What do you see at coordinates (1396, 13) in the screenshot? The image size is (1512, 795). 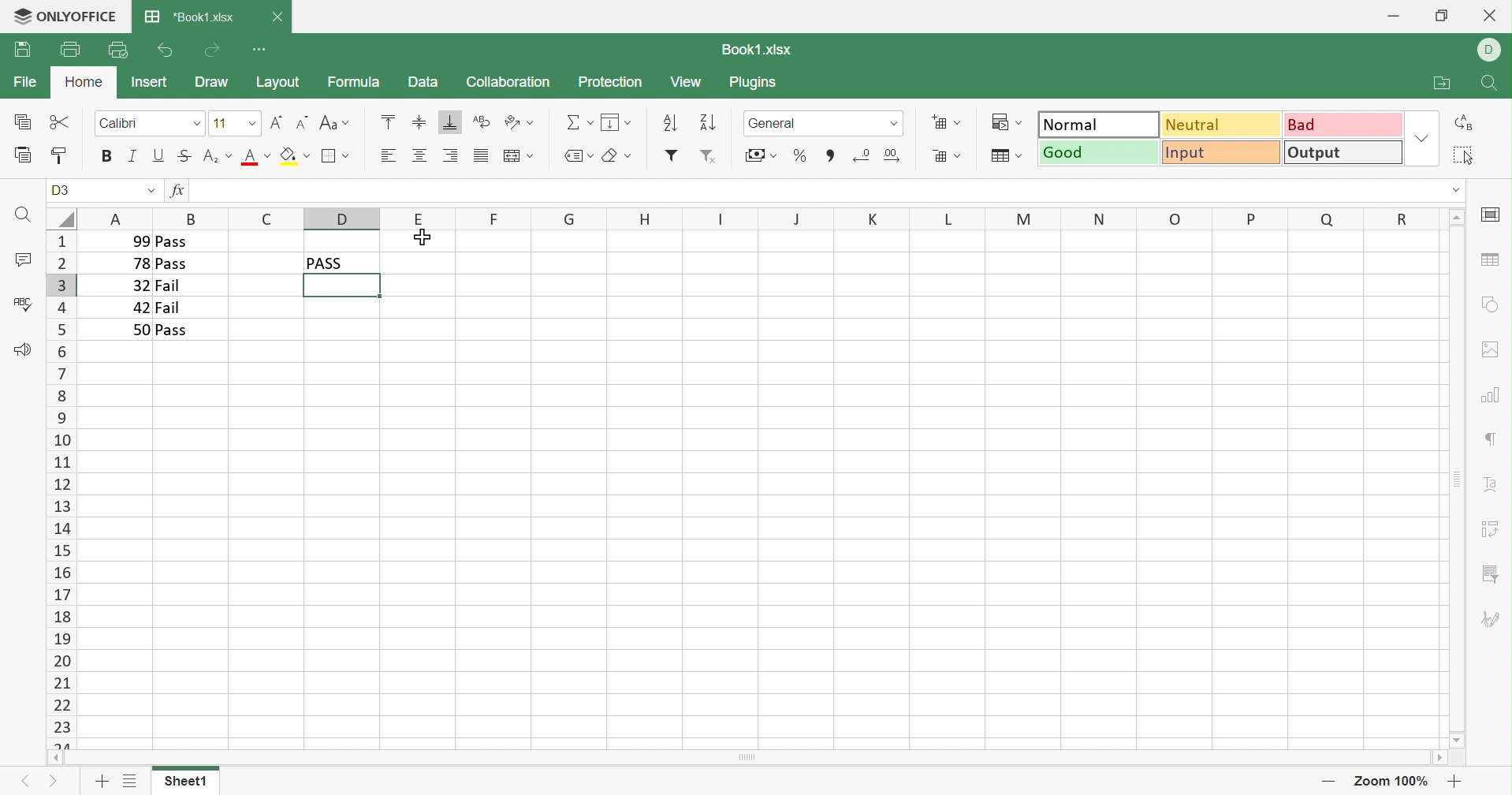 I see `Minimize` at bounding box center [1396, 13].